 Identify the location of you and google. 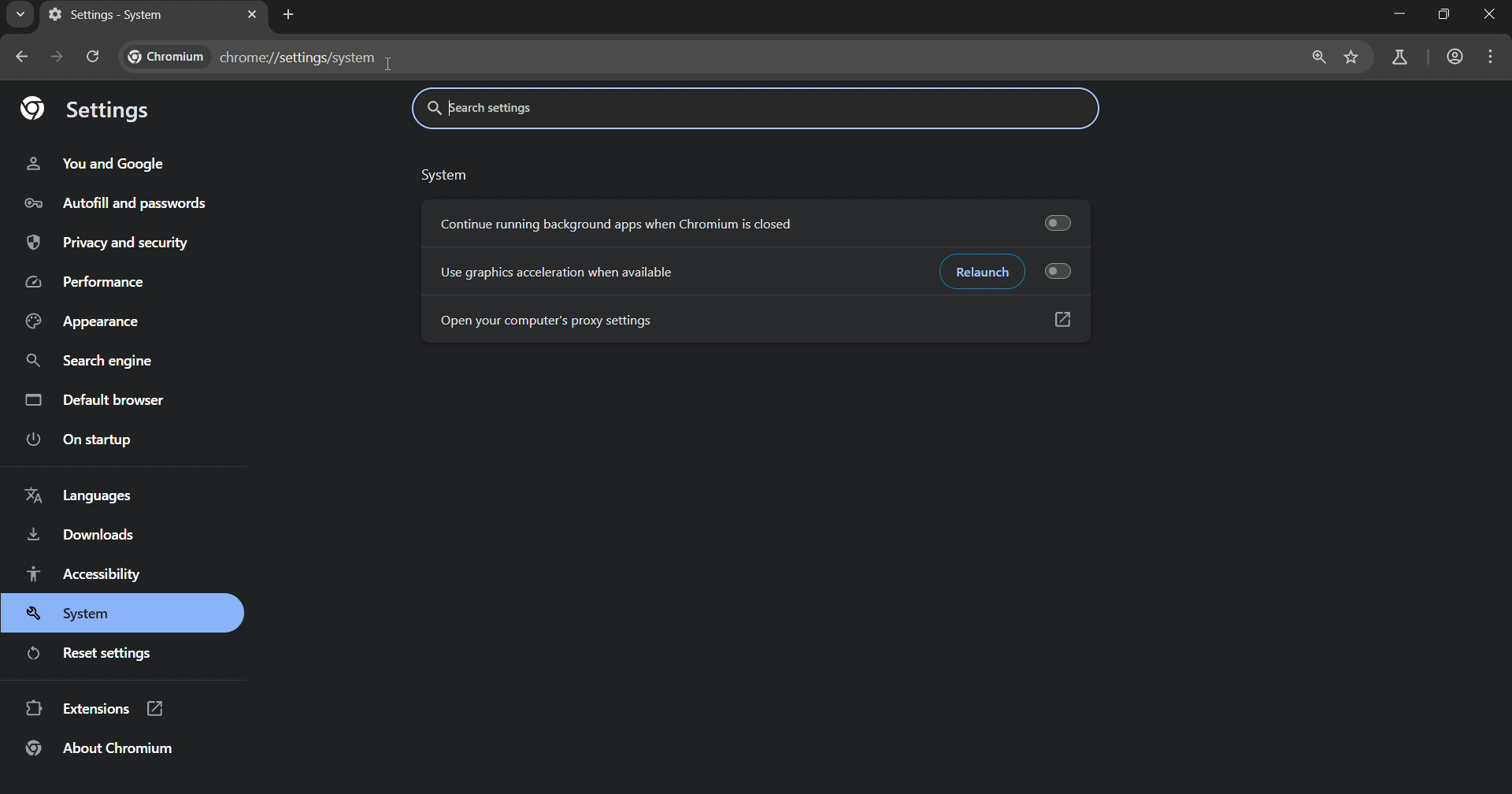
(94, 163).